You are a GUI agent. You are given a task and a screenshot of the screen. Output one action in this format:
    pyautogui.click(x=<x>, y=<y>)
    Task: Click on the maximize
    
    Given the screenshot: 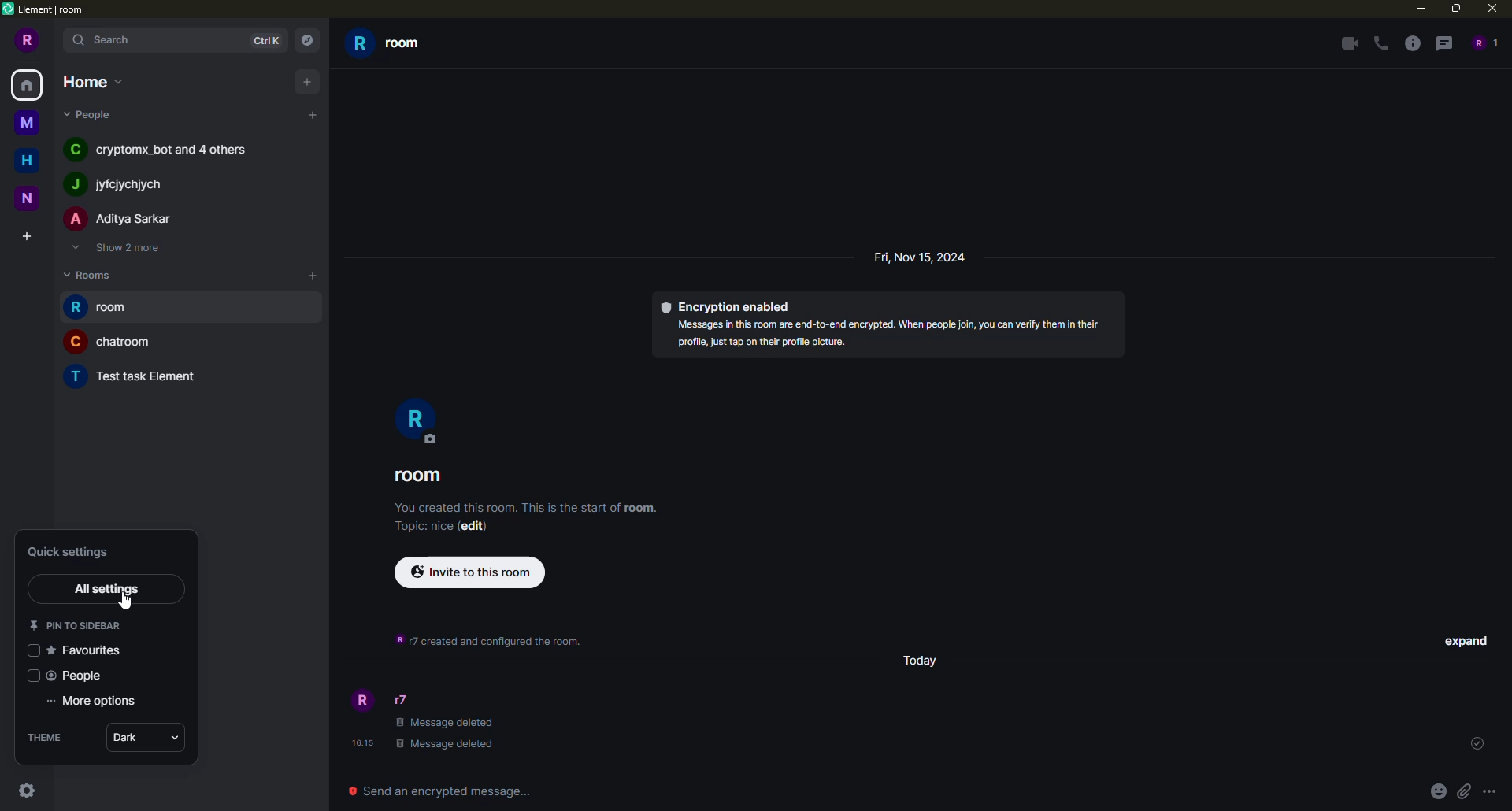 What is the action you would take?
    pyautogui.click(x=1457, y=9)
    